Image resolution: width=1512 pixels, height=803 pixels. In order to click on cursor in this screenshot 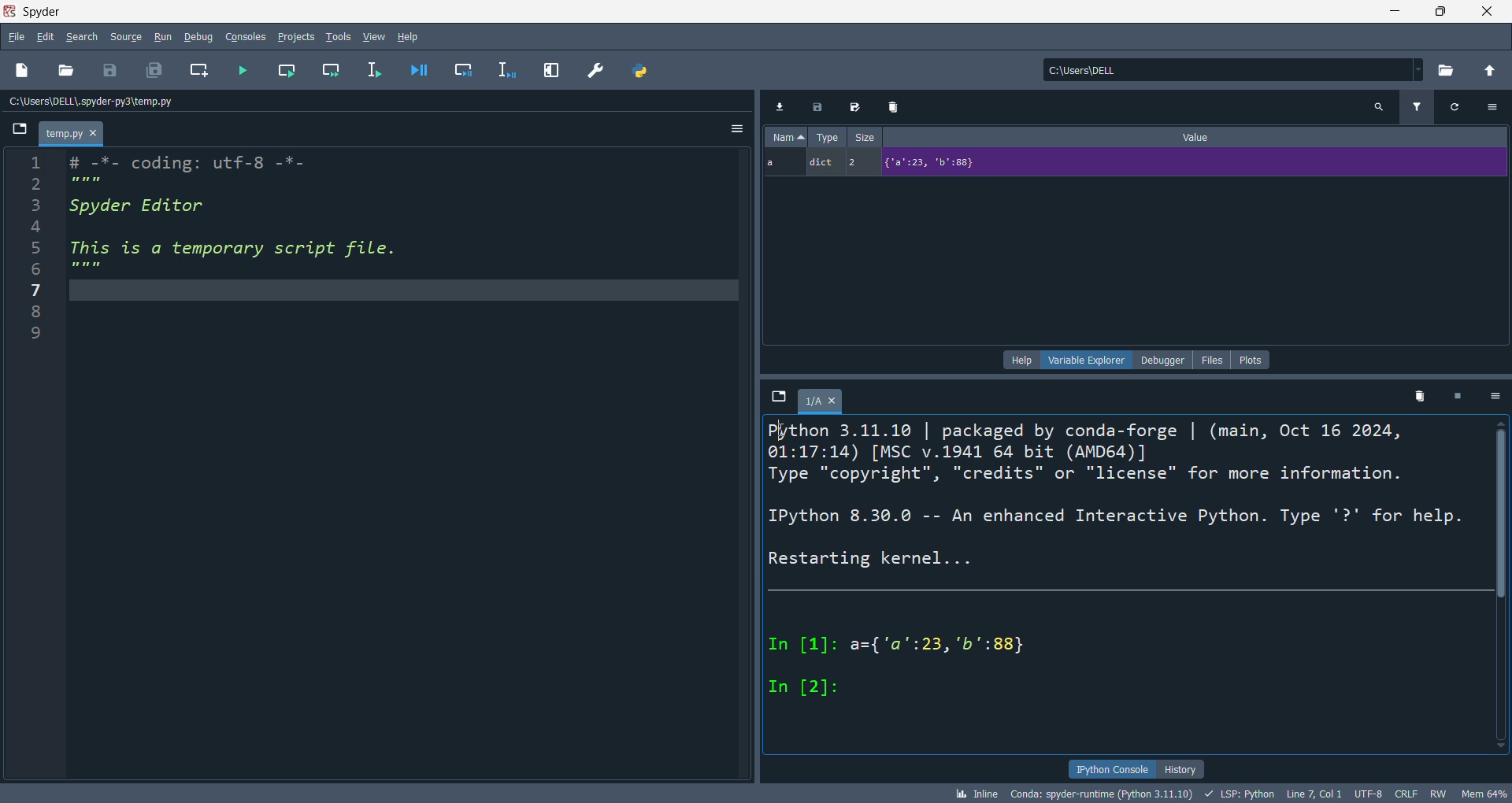, I will do `click(784, 431)`.